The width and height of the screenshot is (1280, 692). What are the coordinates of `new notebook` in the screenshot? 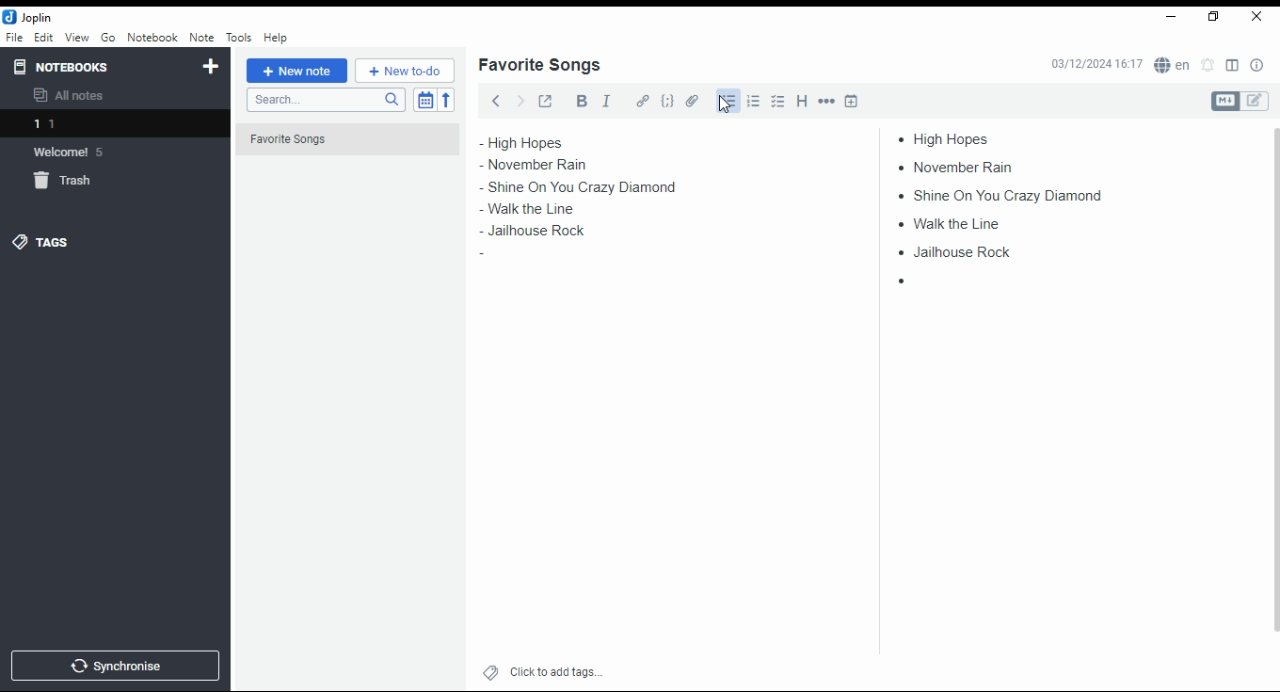 It's located at (211, 67).